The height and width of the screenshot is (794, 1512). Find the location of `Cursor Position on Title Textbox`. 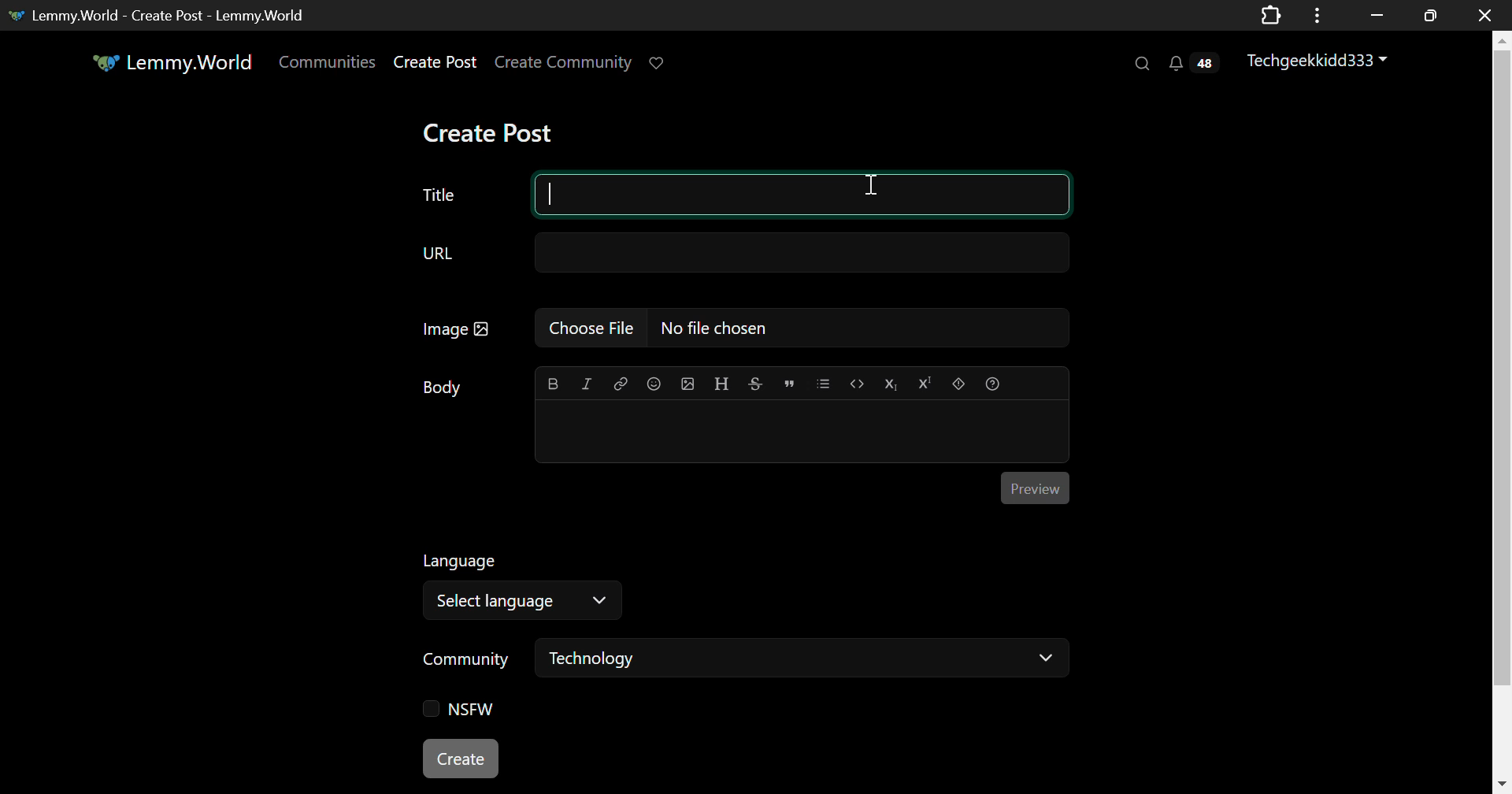

Cursor Position on Title Textbox is located at coordinates (869, 187).